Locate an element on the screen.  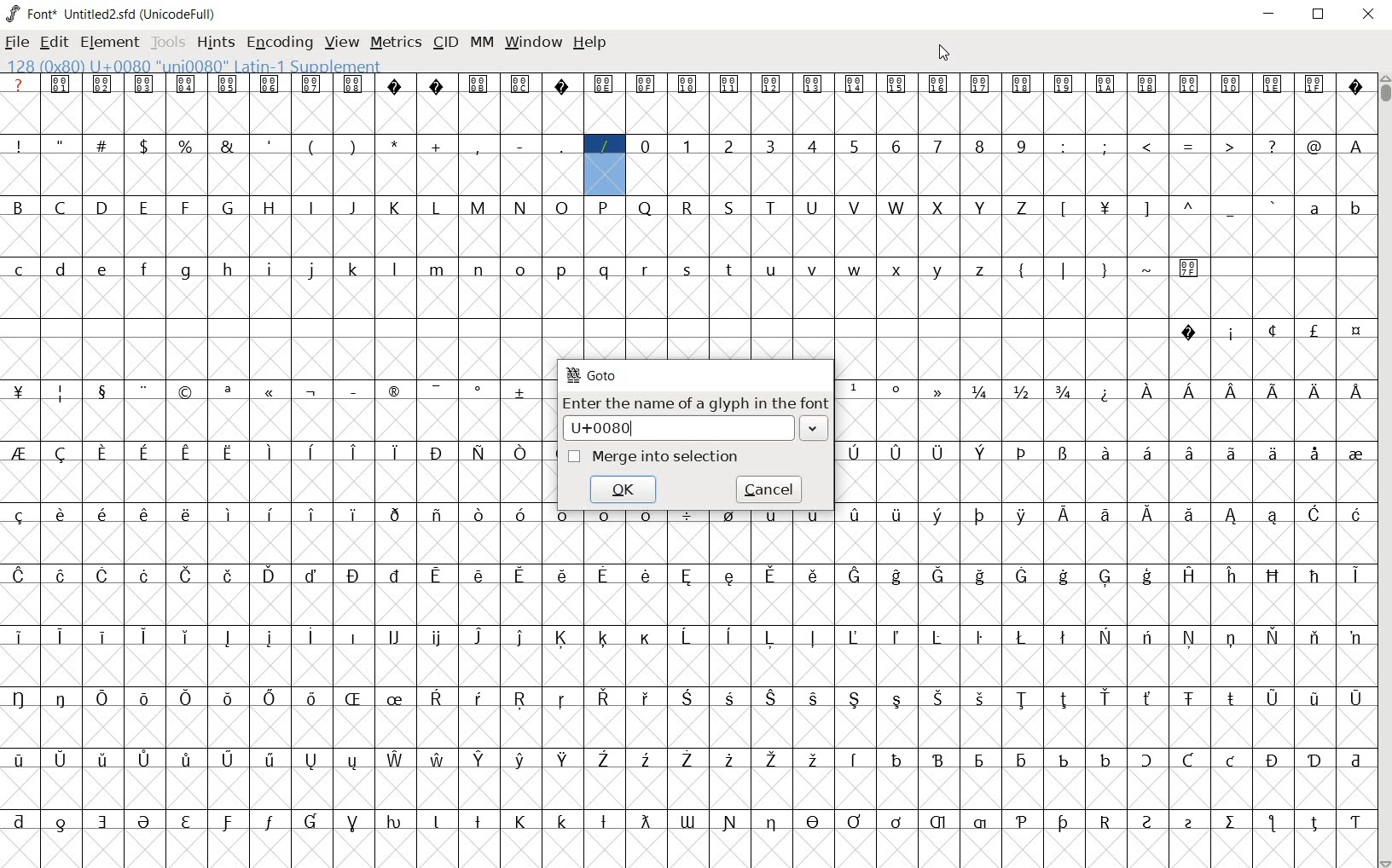
glyph is located at coordinates (270, 760).